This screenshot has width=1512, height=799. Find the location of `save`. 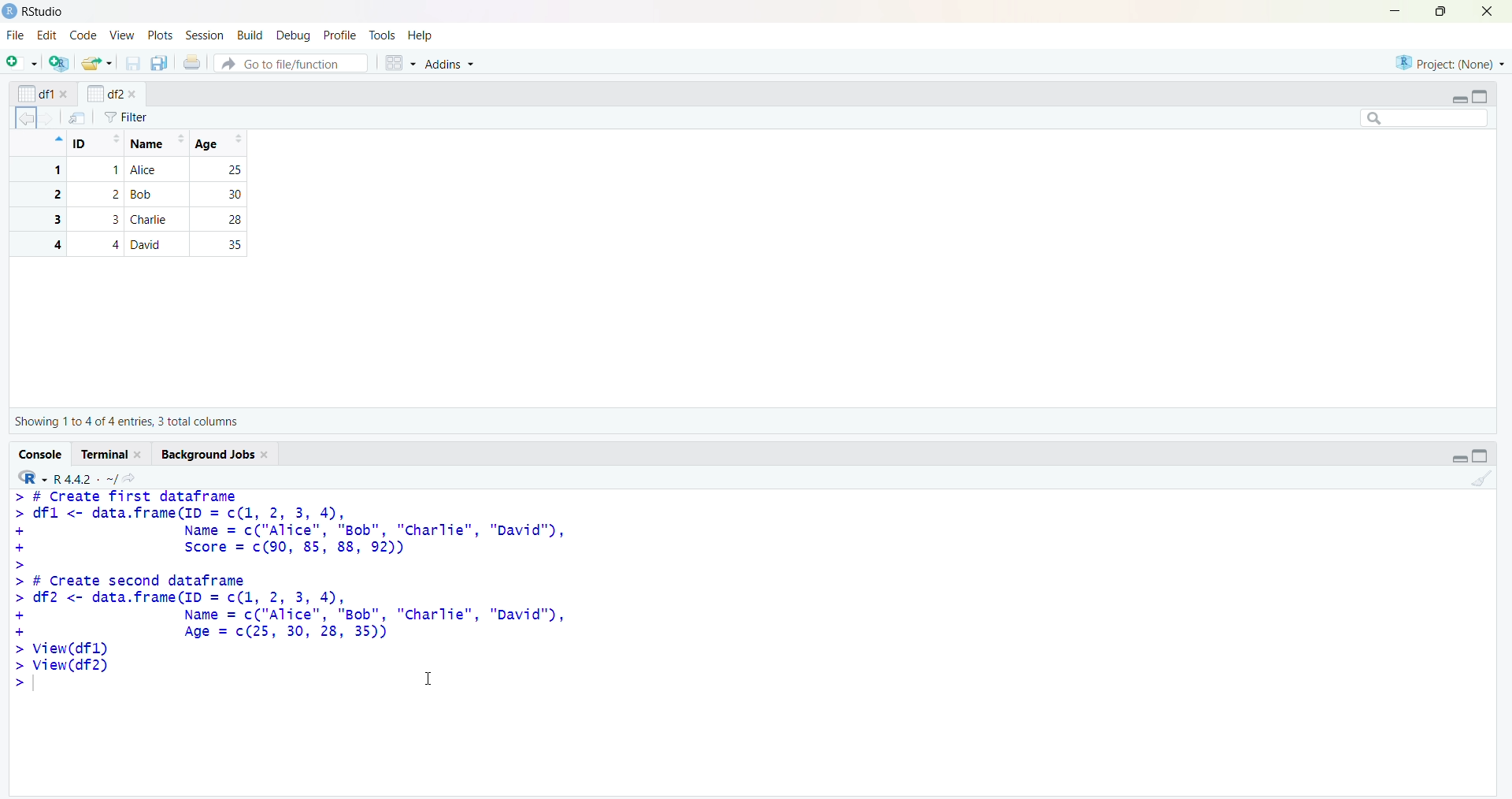

save is located at coordinates (134, 63).